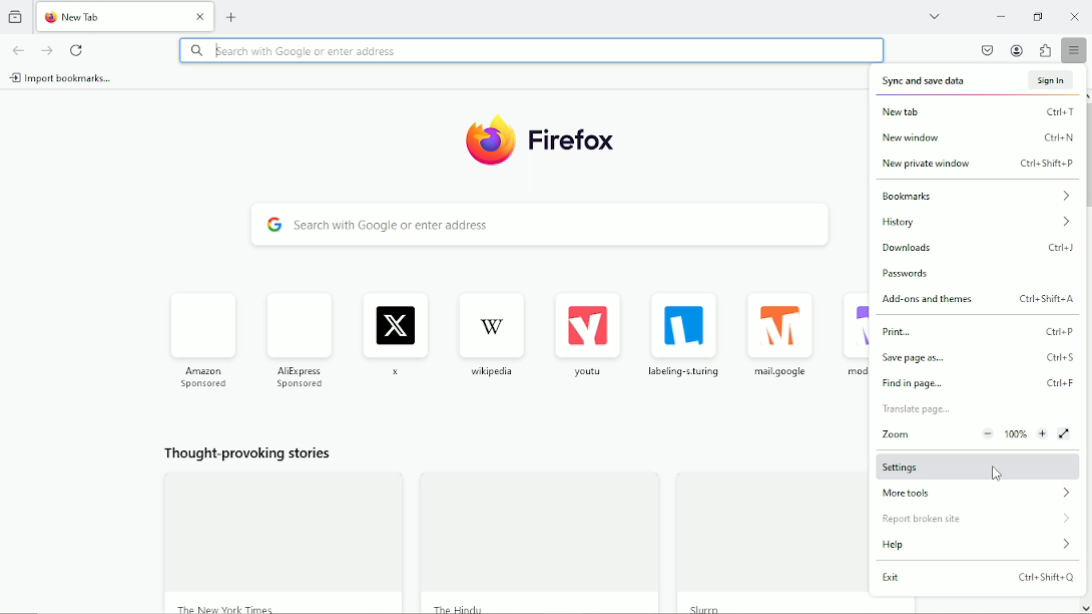 The image size is (1092, 614). What do you see at coordinates (494, 334) in the screenshot?
I see `Wikipedia` at bounding box center [494, 334].